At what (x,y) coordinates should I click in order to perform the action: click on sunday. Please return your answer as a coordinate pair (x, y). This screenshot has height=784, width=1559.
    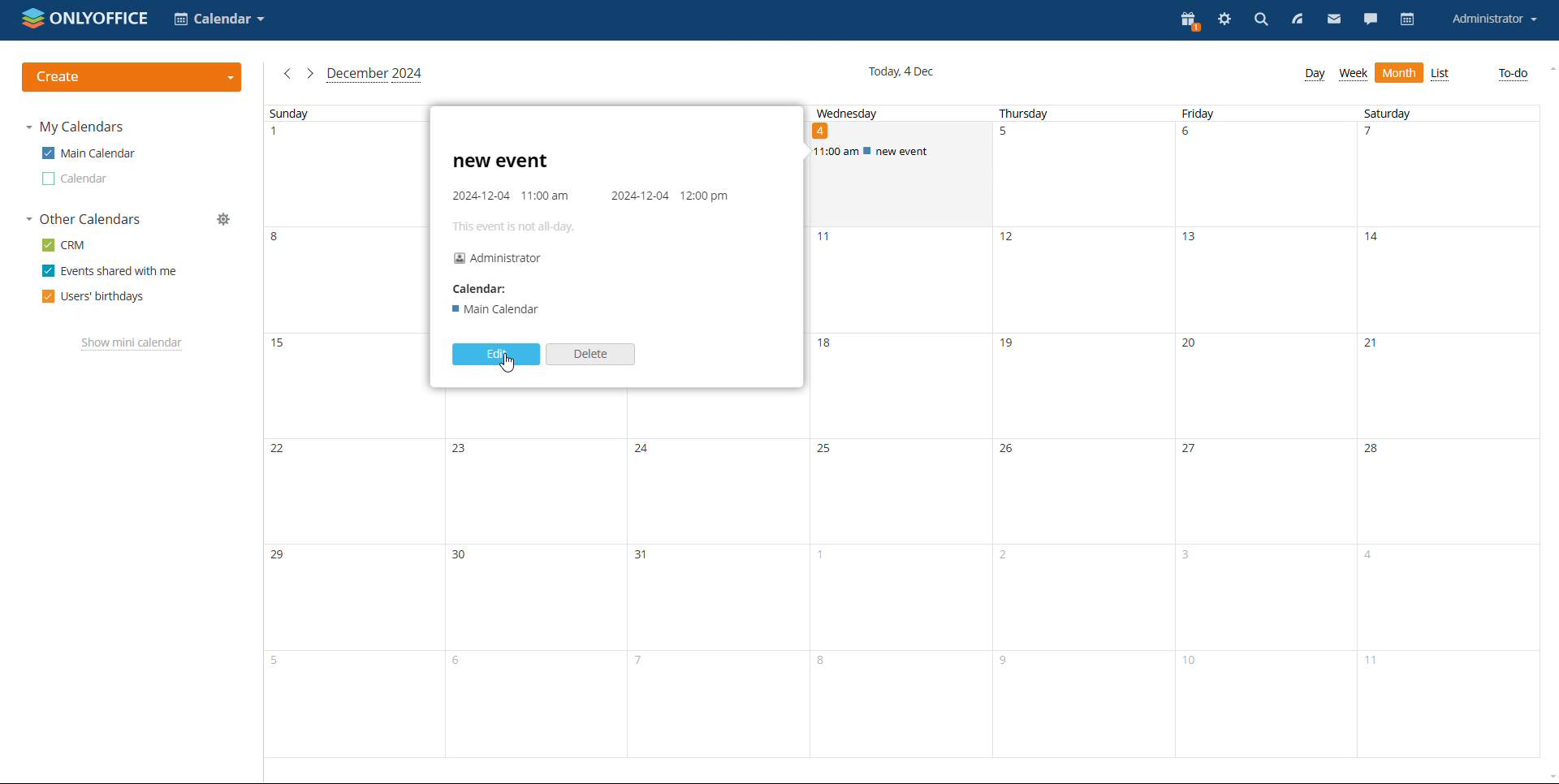
    Looking at the image, I should click on (348, 434).